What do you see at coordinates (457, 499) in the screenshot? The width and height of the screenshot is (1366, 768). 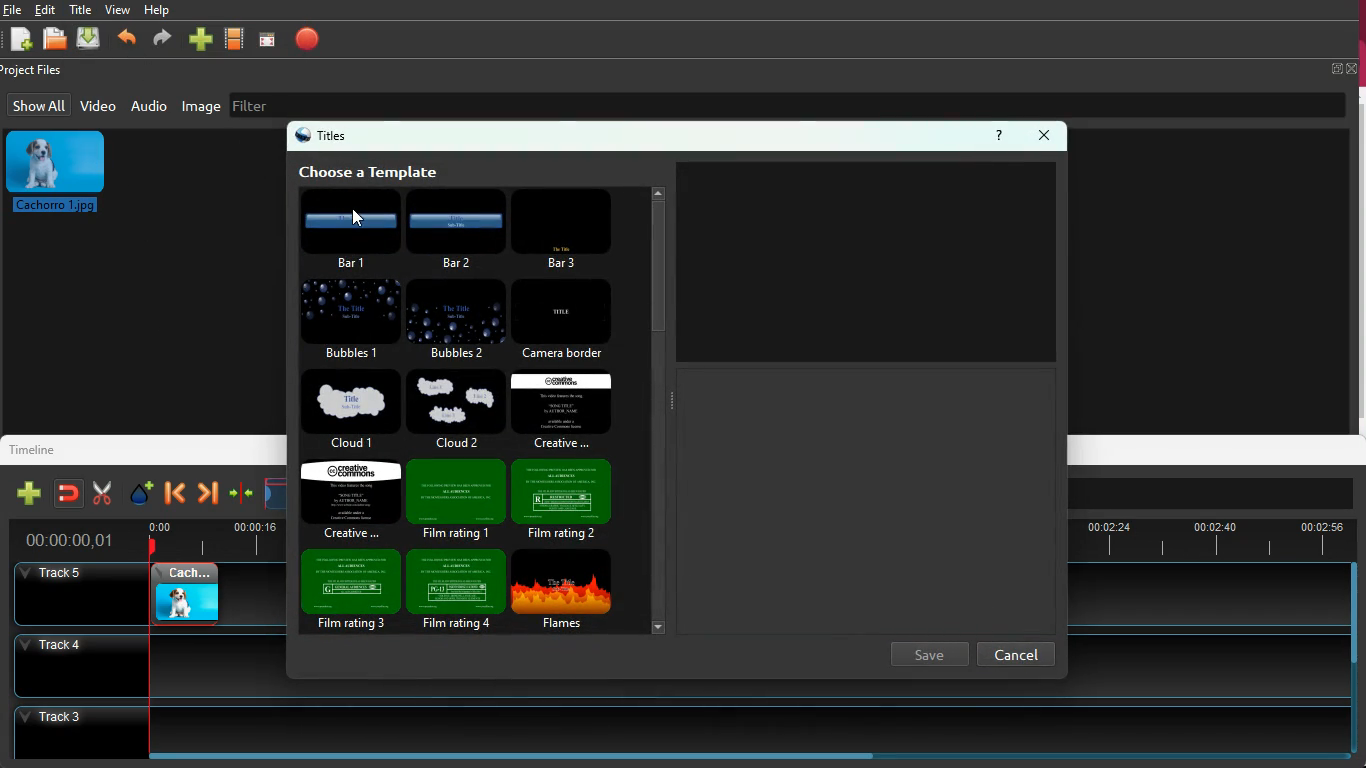 I see `film rating 1` at bounding box center [457, 499].